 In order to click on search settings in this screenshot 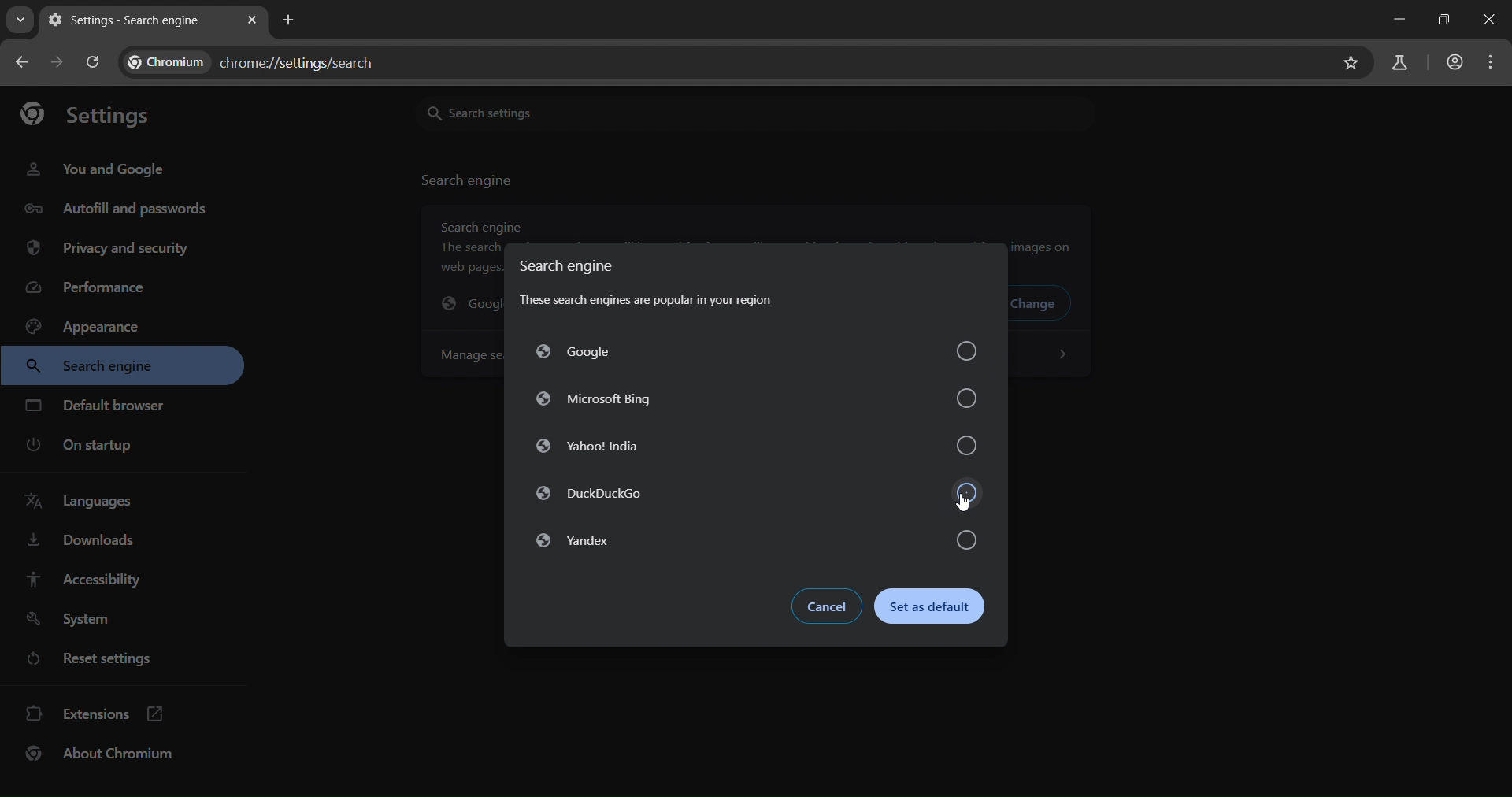, I will do `click(606, 112)`.